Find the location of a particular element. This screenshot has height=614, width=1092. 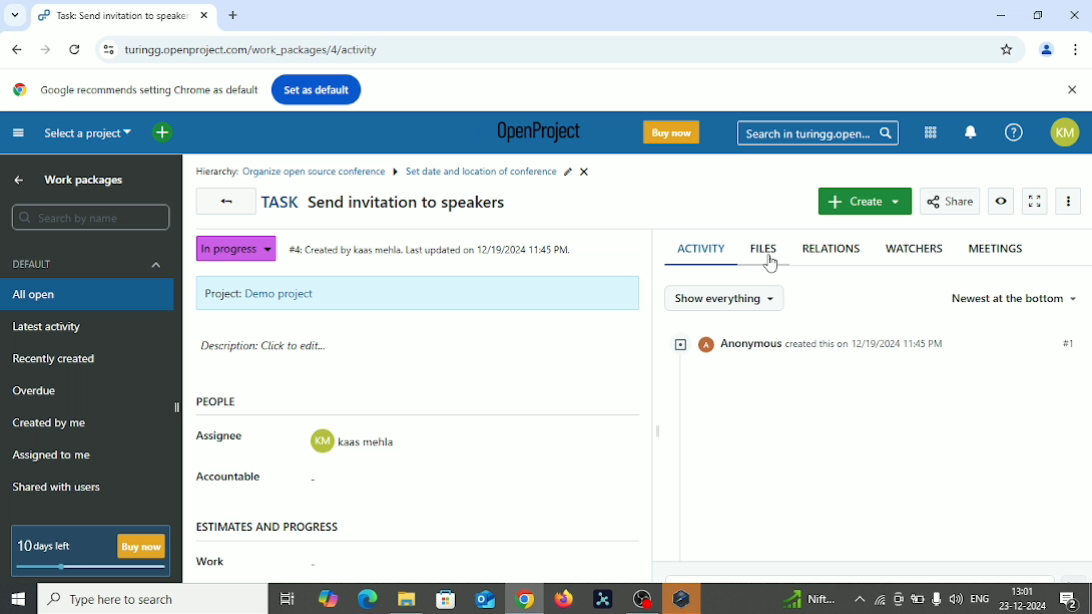

slide bar indicating how many days left for free version is located at coordinates (94, 569).